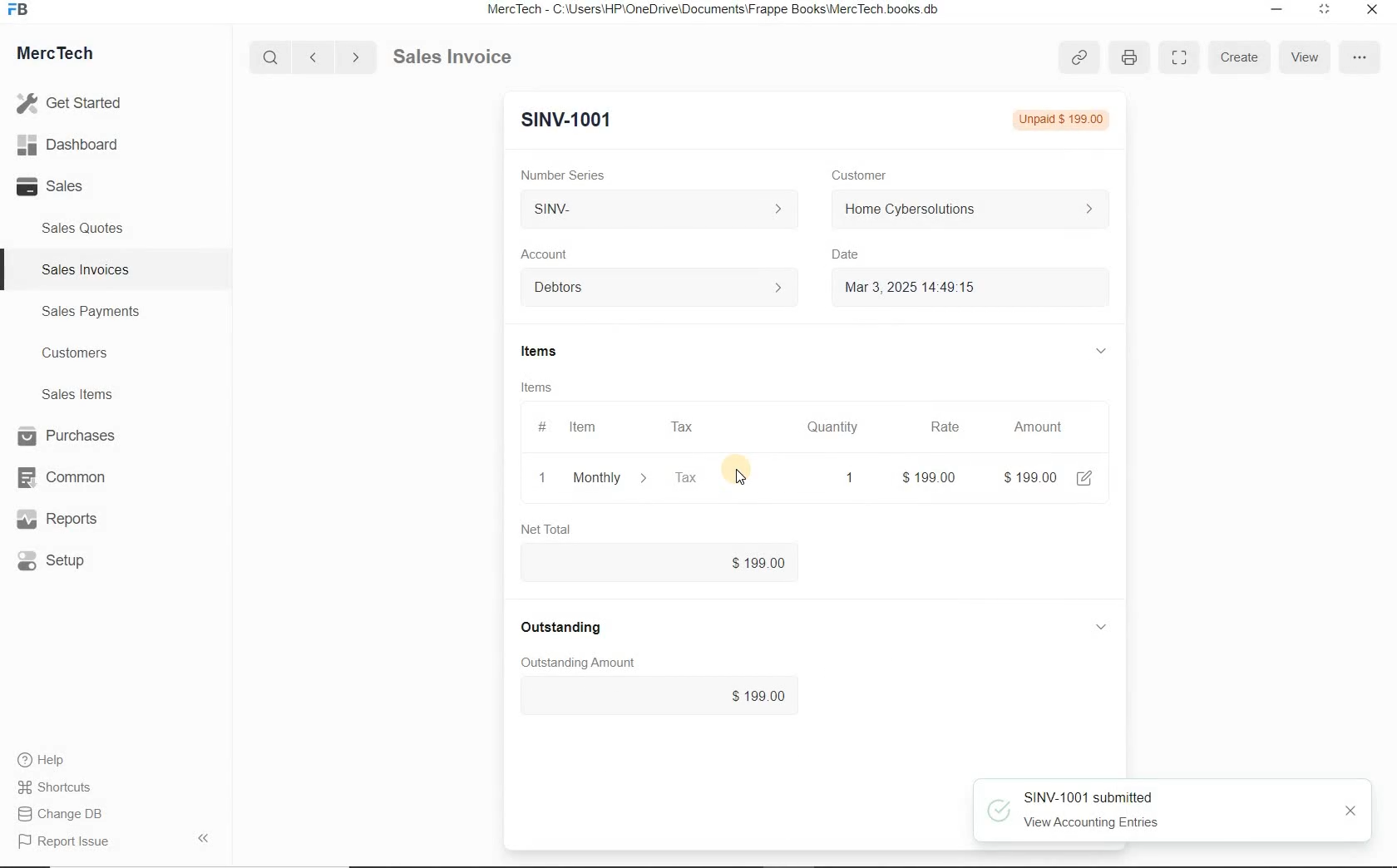 The image size is (1397, 868). I want to click on MercTech - C:\Users\HP\OneDrive\Documents\Frappe Books\MercTech books db, so click(715, 10).